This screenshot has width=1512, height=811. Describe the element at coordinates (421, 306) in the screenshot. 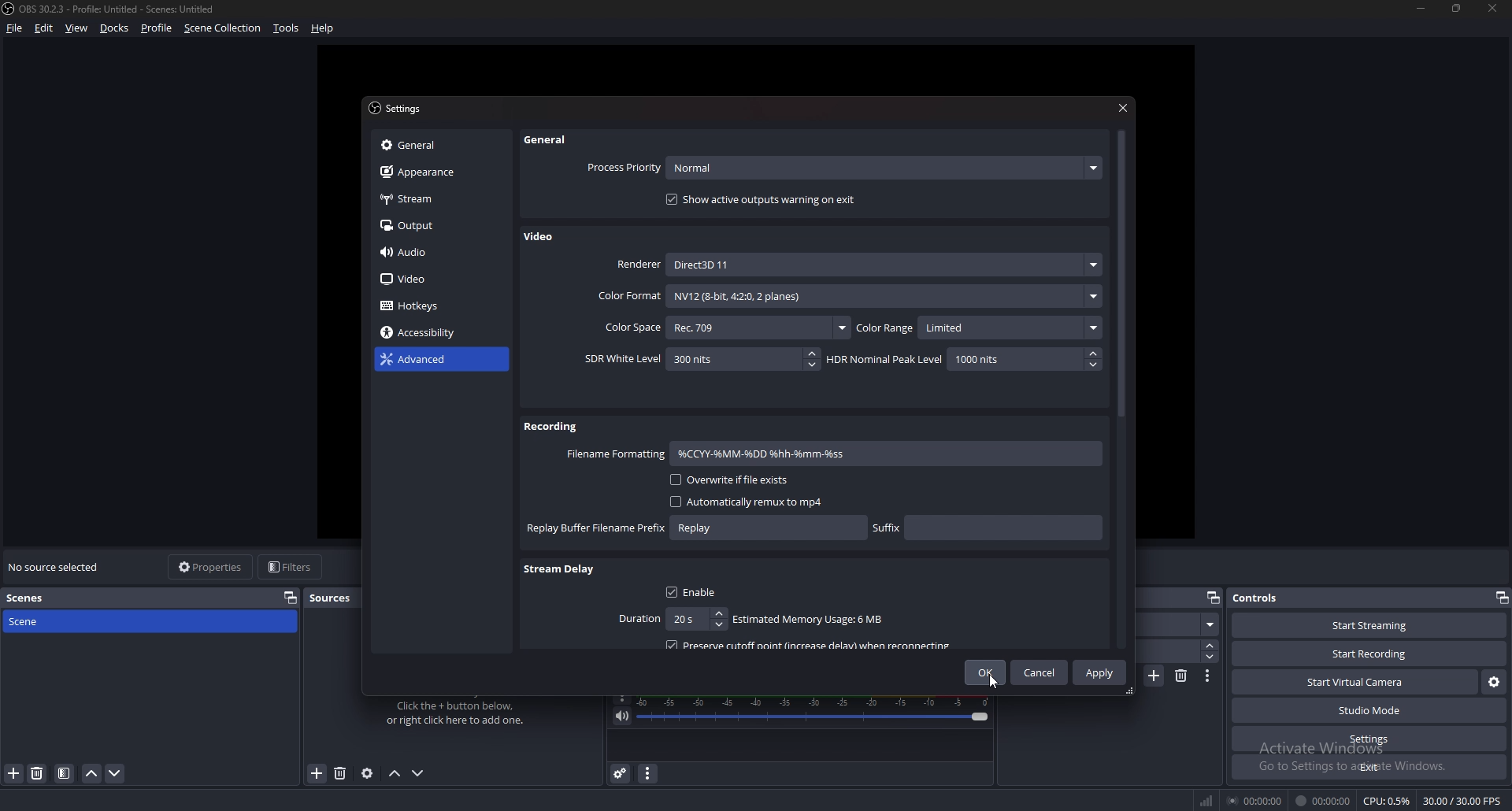

I see `hot keys` at that location.